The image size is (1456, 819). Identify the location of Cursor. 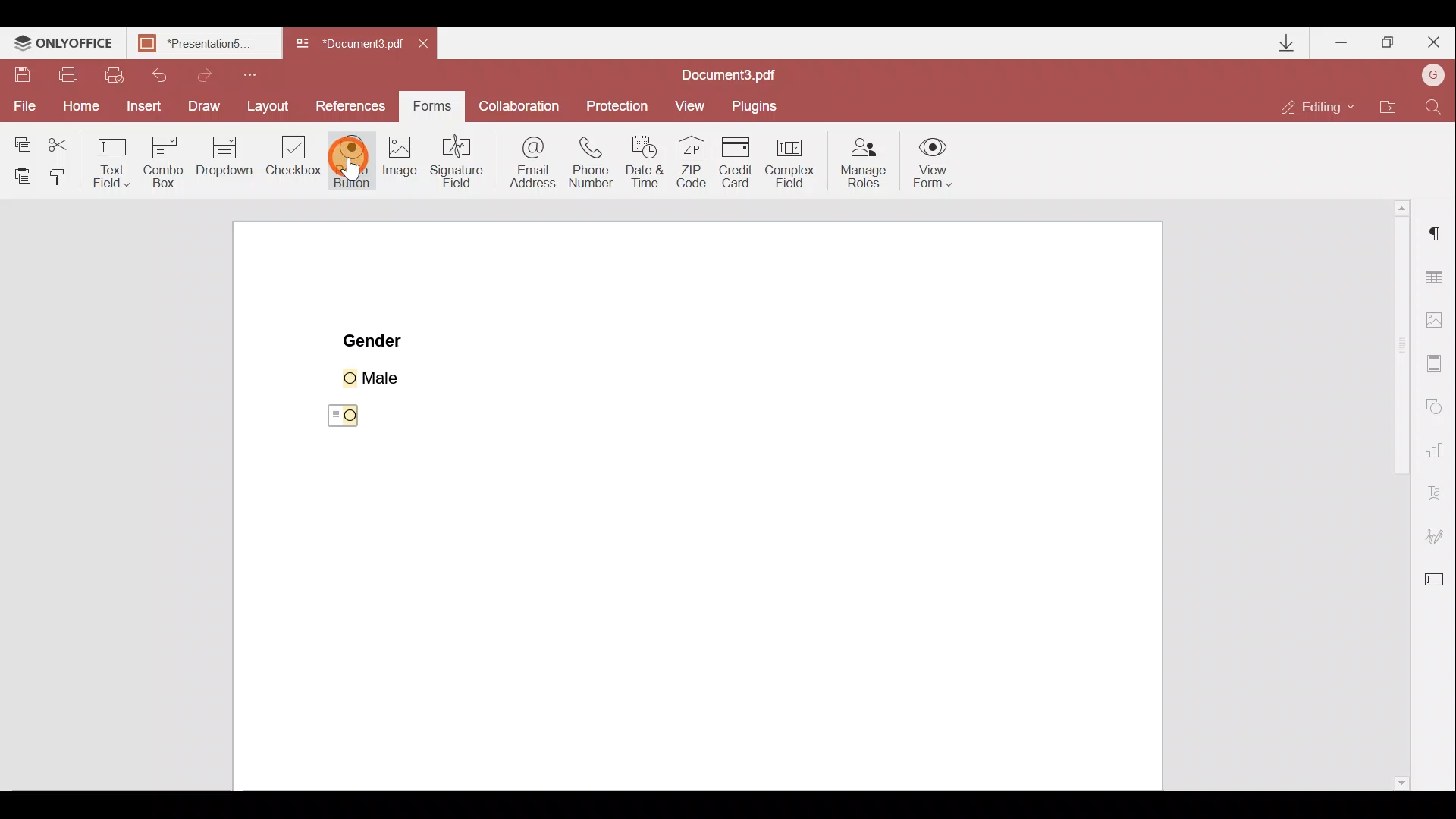
(362, 165).